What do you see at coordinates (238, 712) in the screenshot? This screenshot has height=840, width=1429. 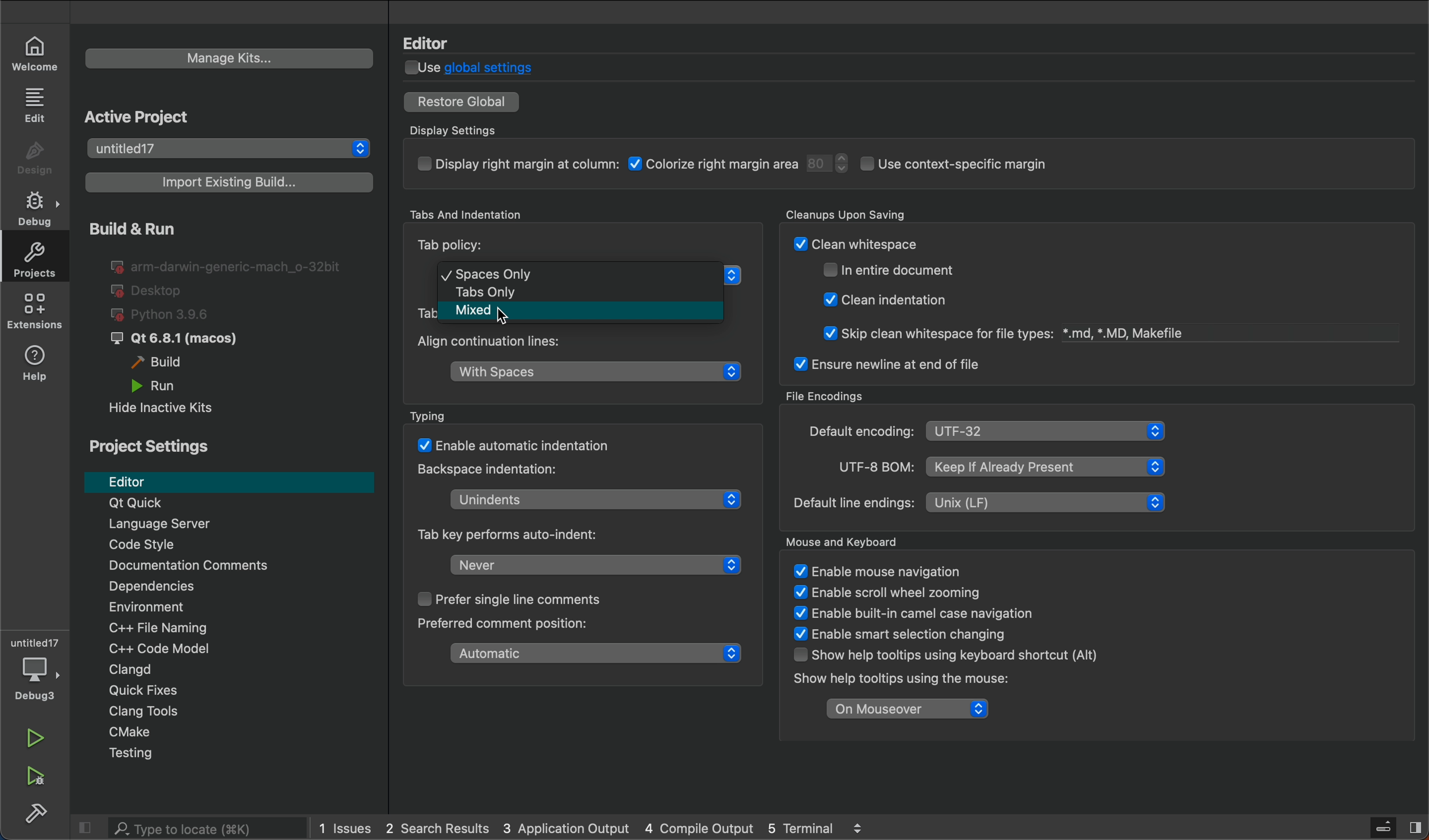 I see `Clang tools` at bounding box center [238, 712].